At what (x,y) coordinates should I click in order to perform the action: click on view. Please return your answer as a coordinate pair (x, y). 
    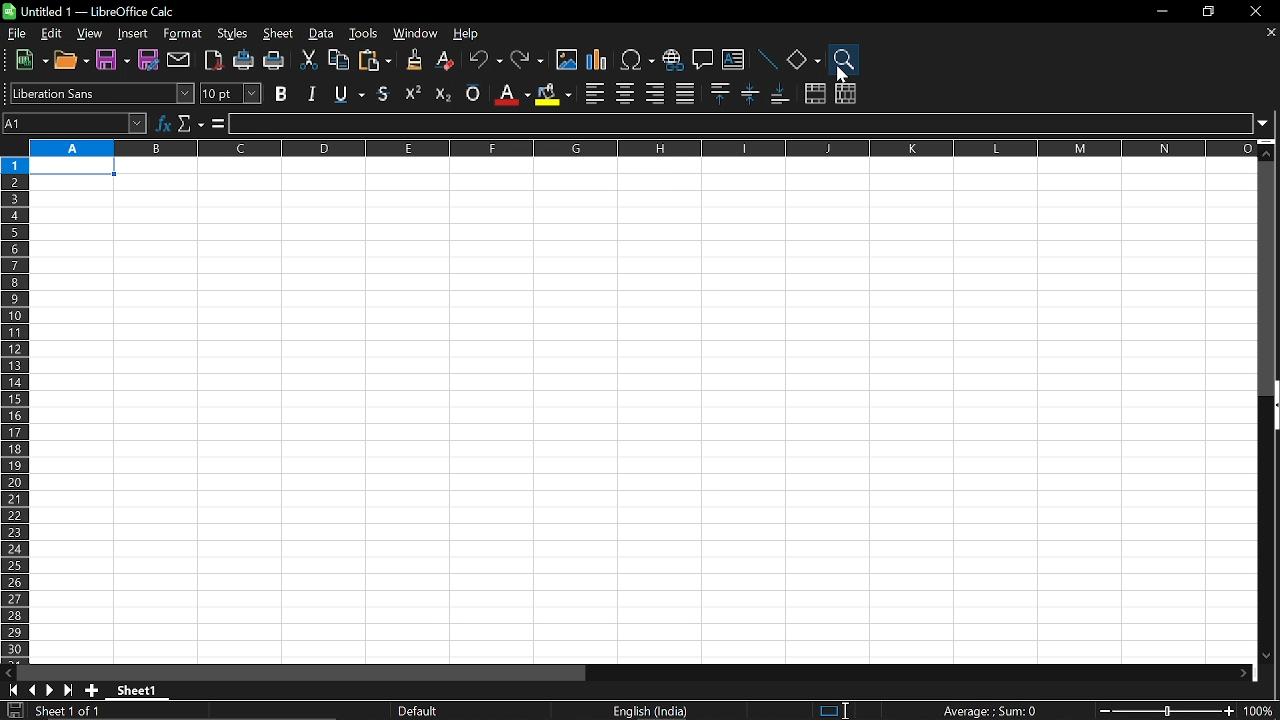
    Looking at the image, I should click on (91, 35).